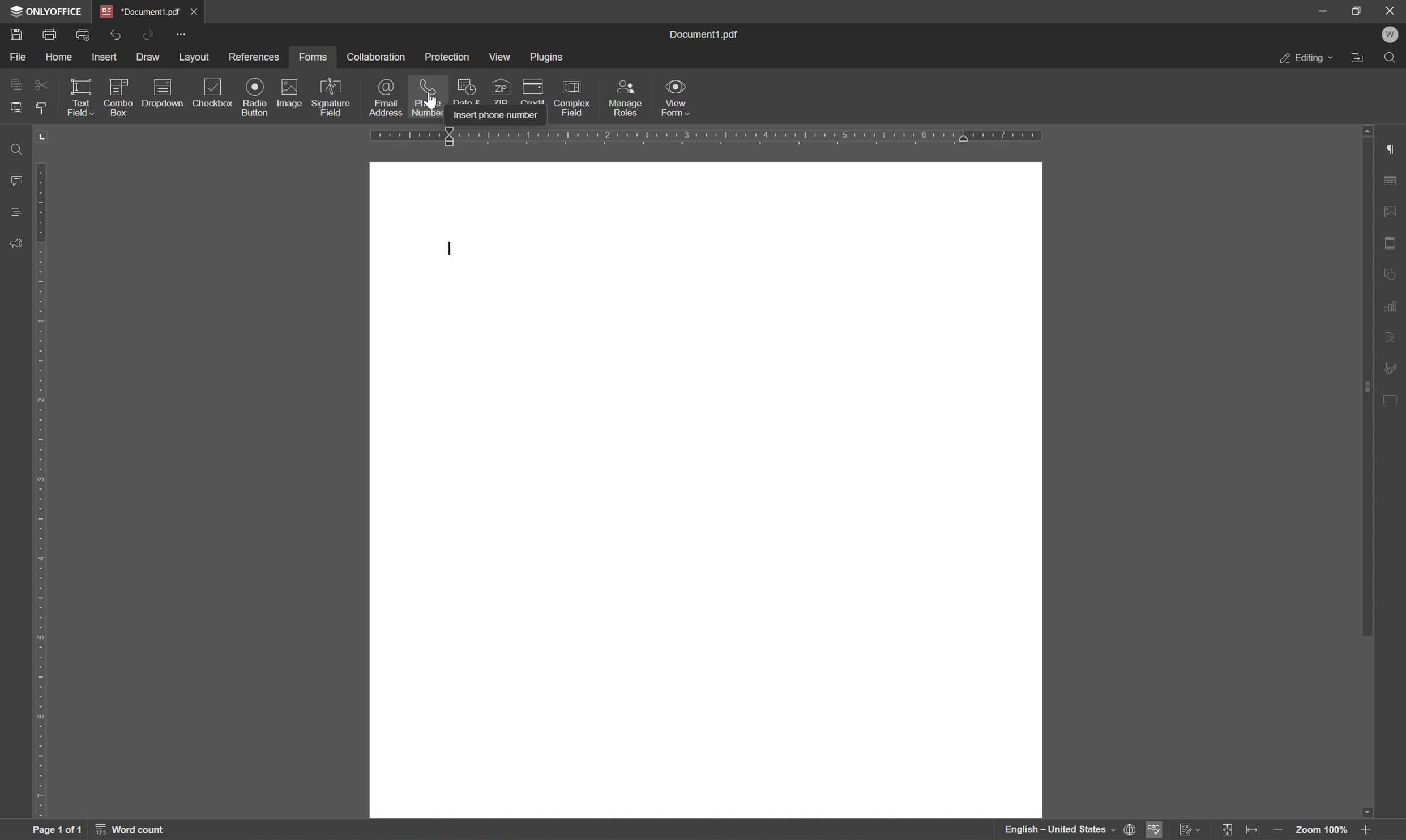  I want to click on welcome, so click(1391, 33).